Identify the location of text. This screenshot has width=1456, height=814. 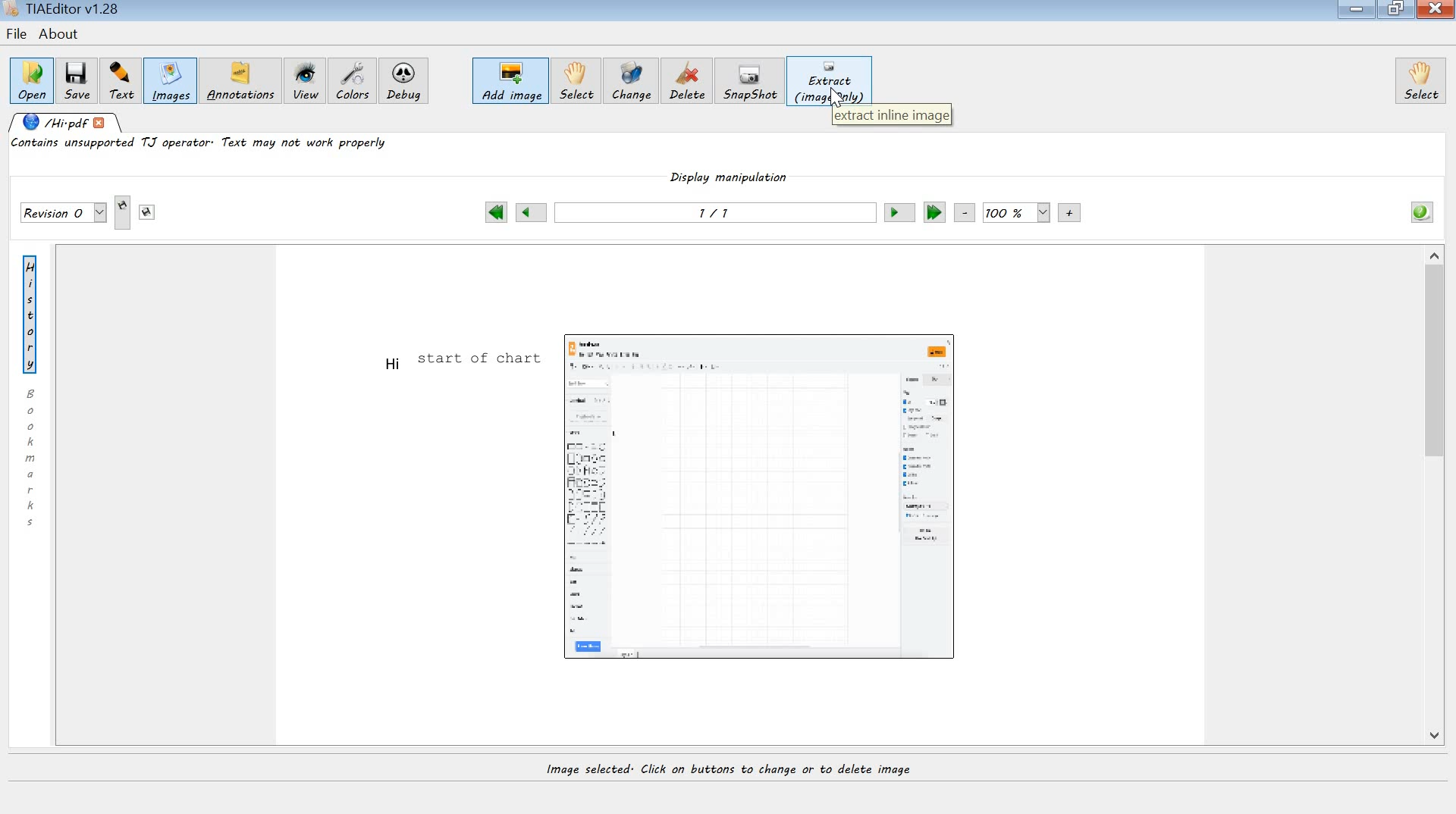
(457, 362).